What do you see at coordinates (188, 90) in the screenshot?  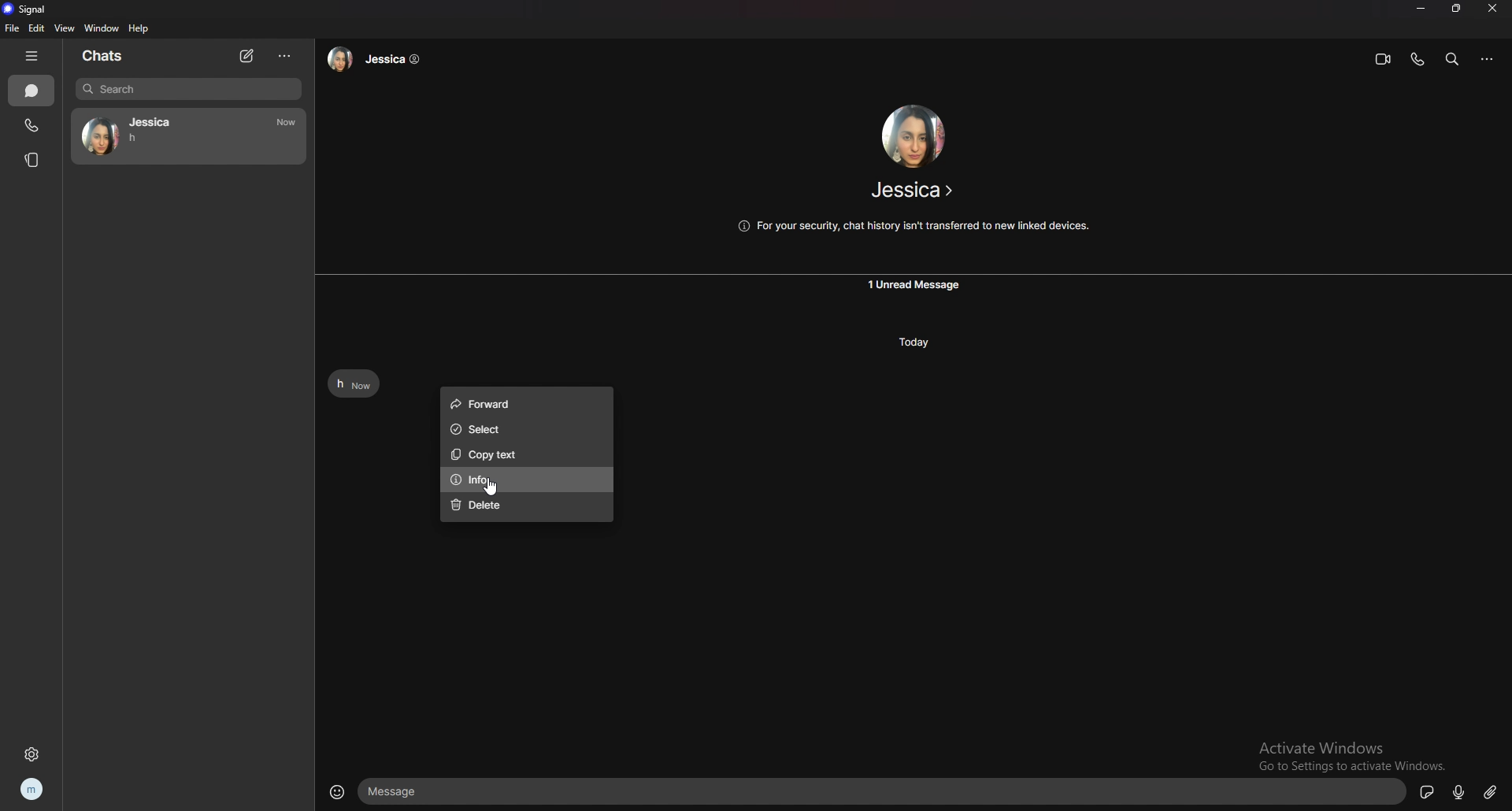 I see `search bar` at bounding box center [188, 90].